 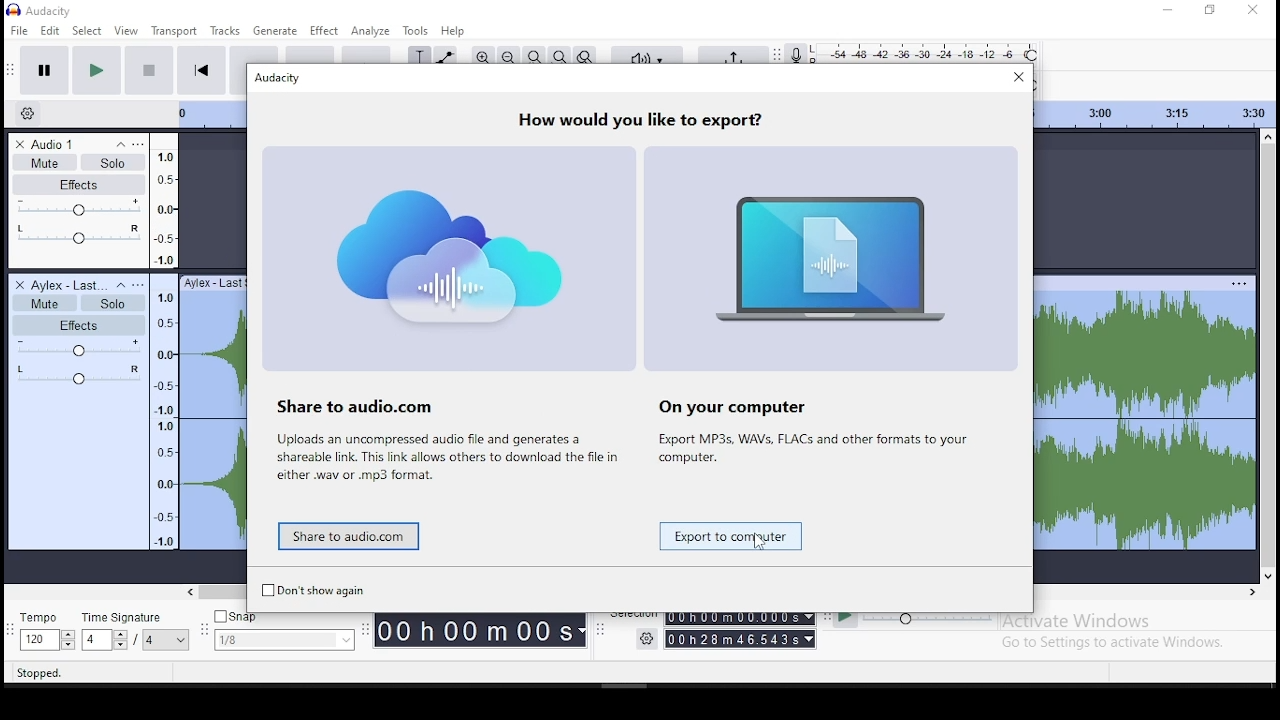 What do you see at coordinates (285, 631) in the screenshot?
I see `snap` at bounding box center [285, 631].